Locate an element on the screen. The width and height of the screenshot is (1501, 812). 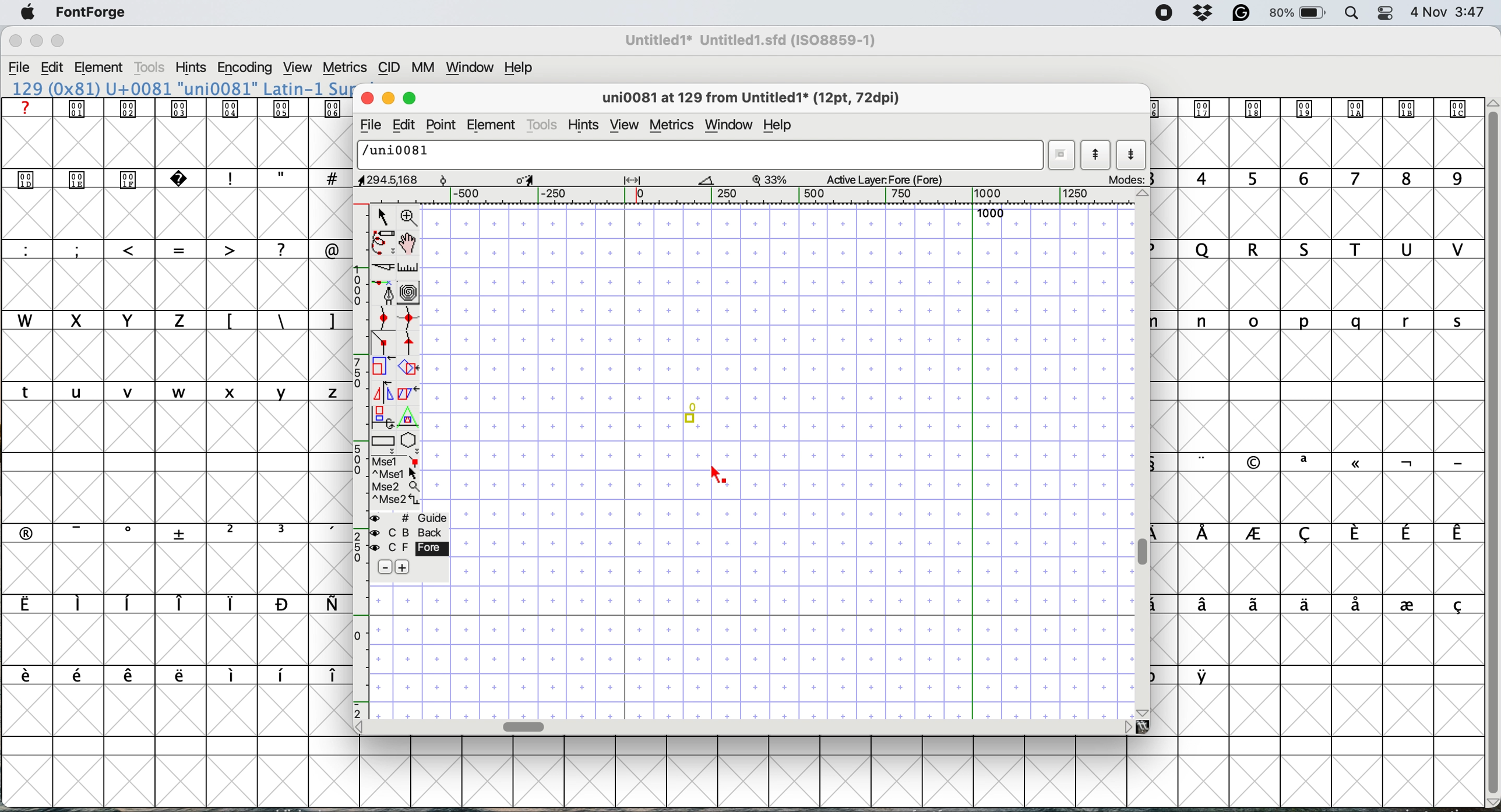
show next letter is located at coordinates (1130, 154).